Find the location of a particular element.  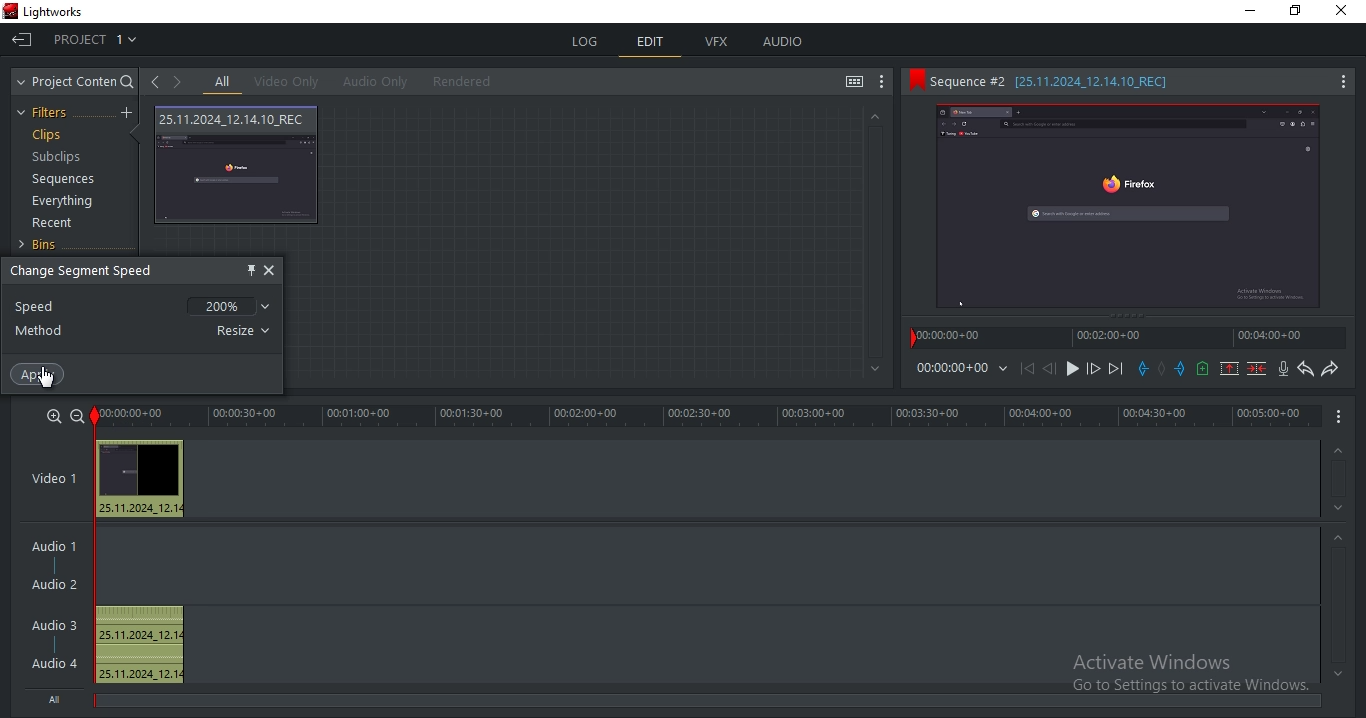

audio only is located at coordinates (377, 81).